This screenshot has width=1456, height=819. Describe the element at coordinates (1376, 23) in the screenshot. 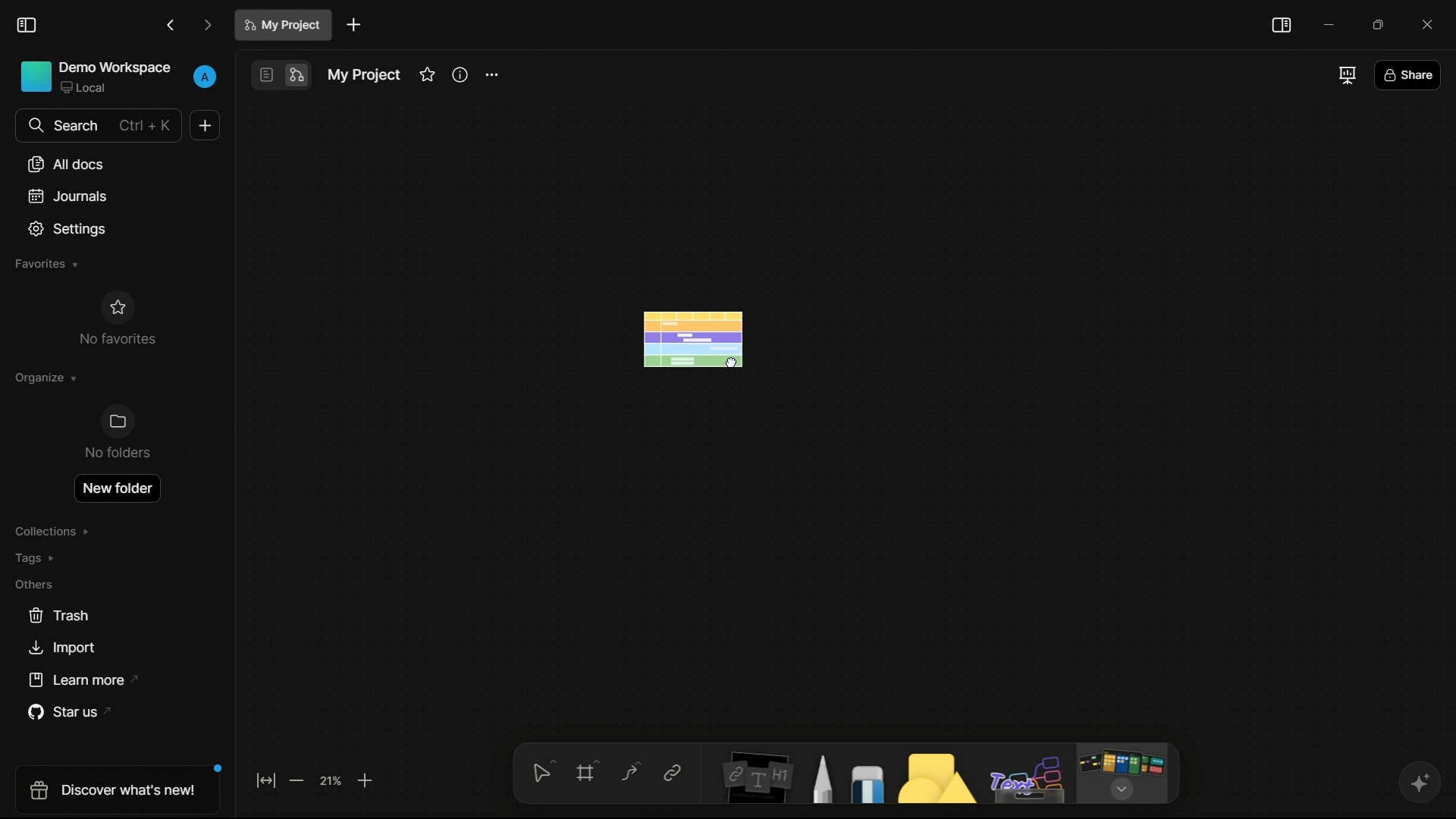

I see `maximize or restore` at that location.